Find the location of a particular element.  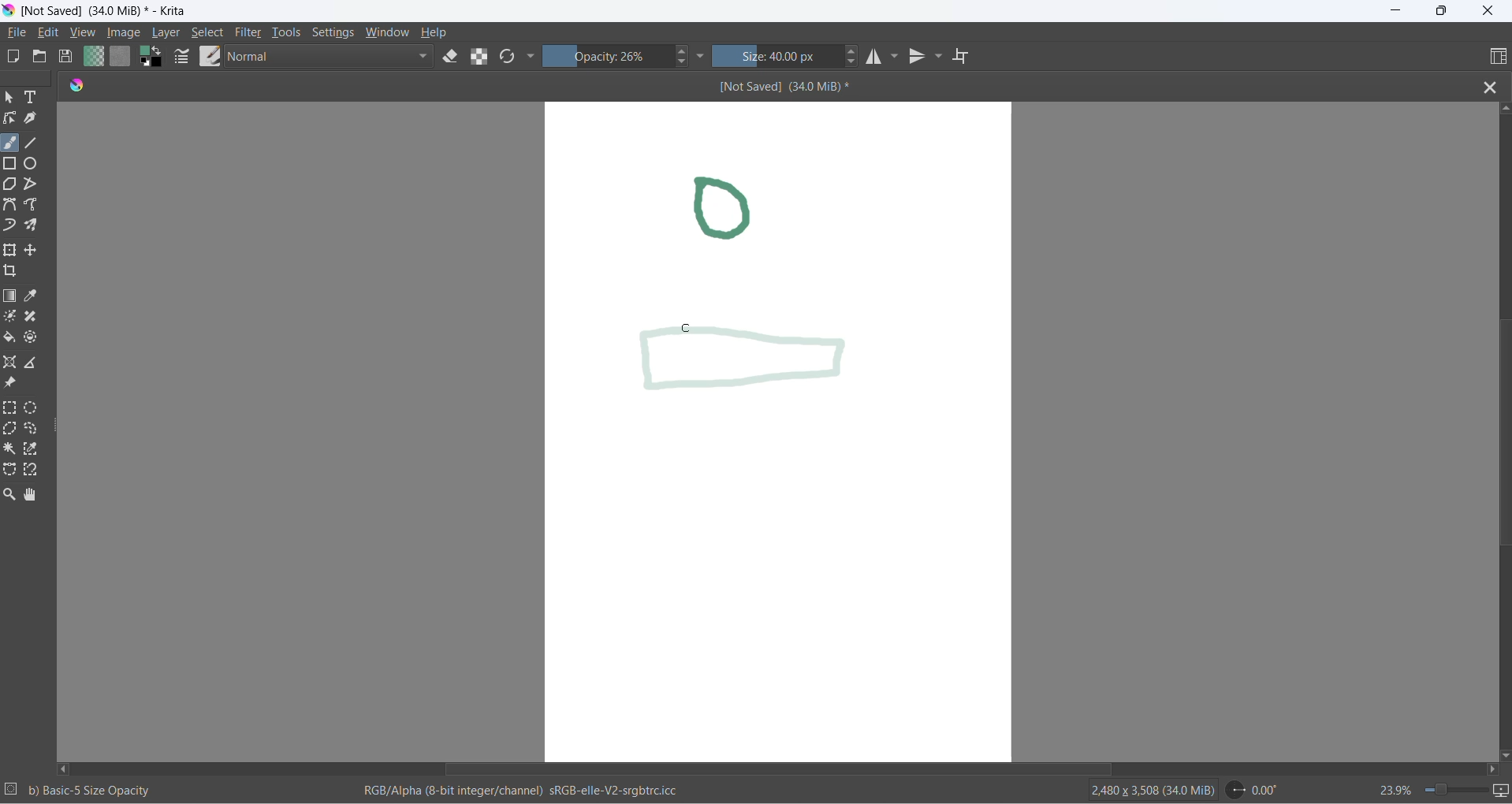

filters is located at coordinates (251, 34).